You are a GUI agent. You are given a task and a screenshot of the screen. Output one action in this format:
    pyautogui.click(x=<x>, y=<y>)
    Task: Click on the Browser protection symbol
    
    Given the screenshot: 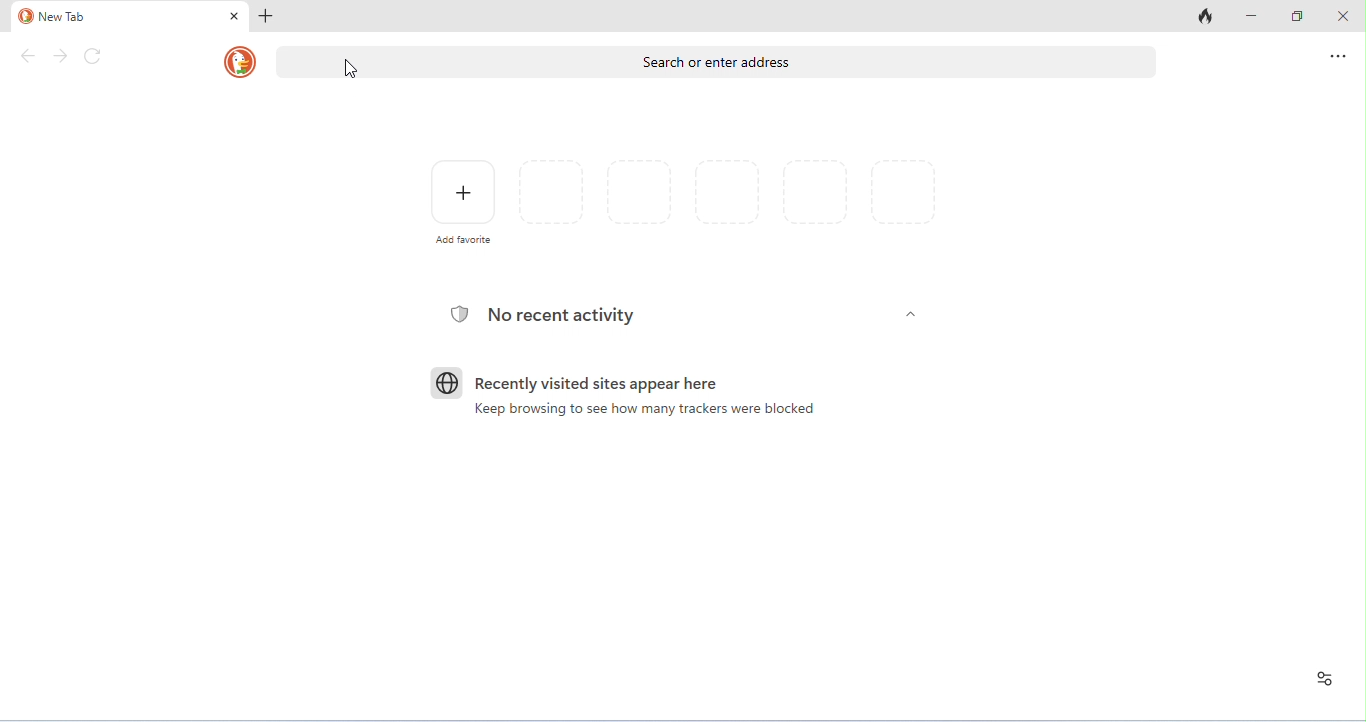 What is the action you would take?
    pyautogui.click(x=459, y=314)
    